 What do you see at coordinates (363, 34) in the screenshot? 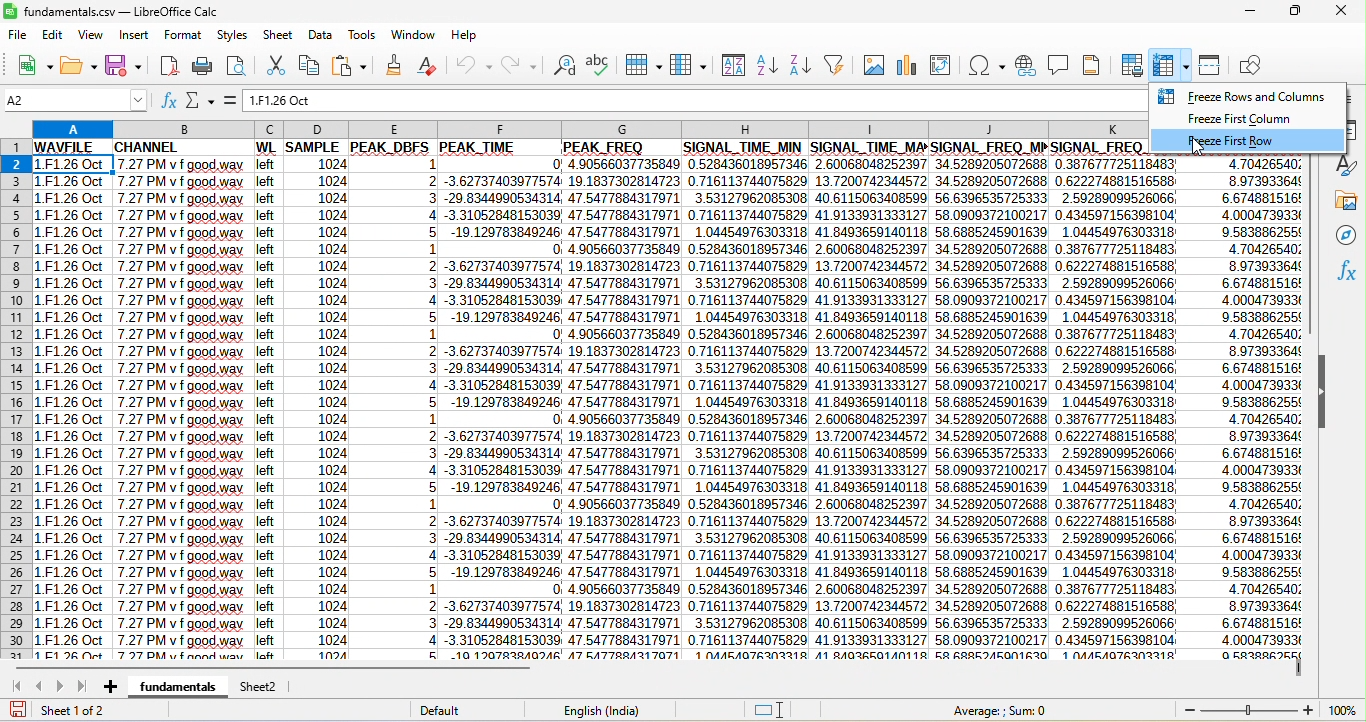
I see `tools` at bounding box center [363, 34].